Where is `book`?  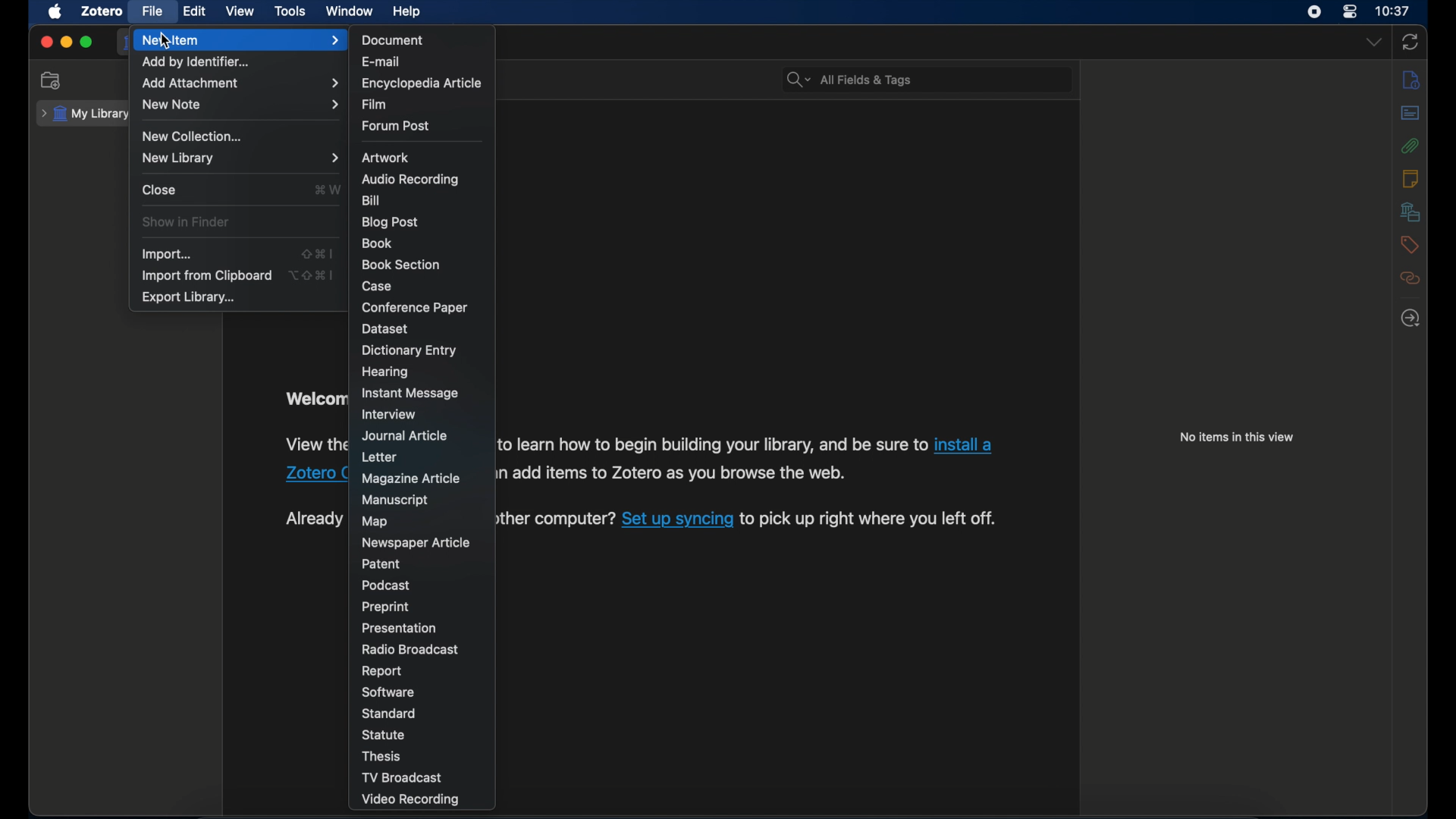
book is located at coordinates (378, 243).